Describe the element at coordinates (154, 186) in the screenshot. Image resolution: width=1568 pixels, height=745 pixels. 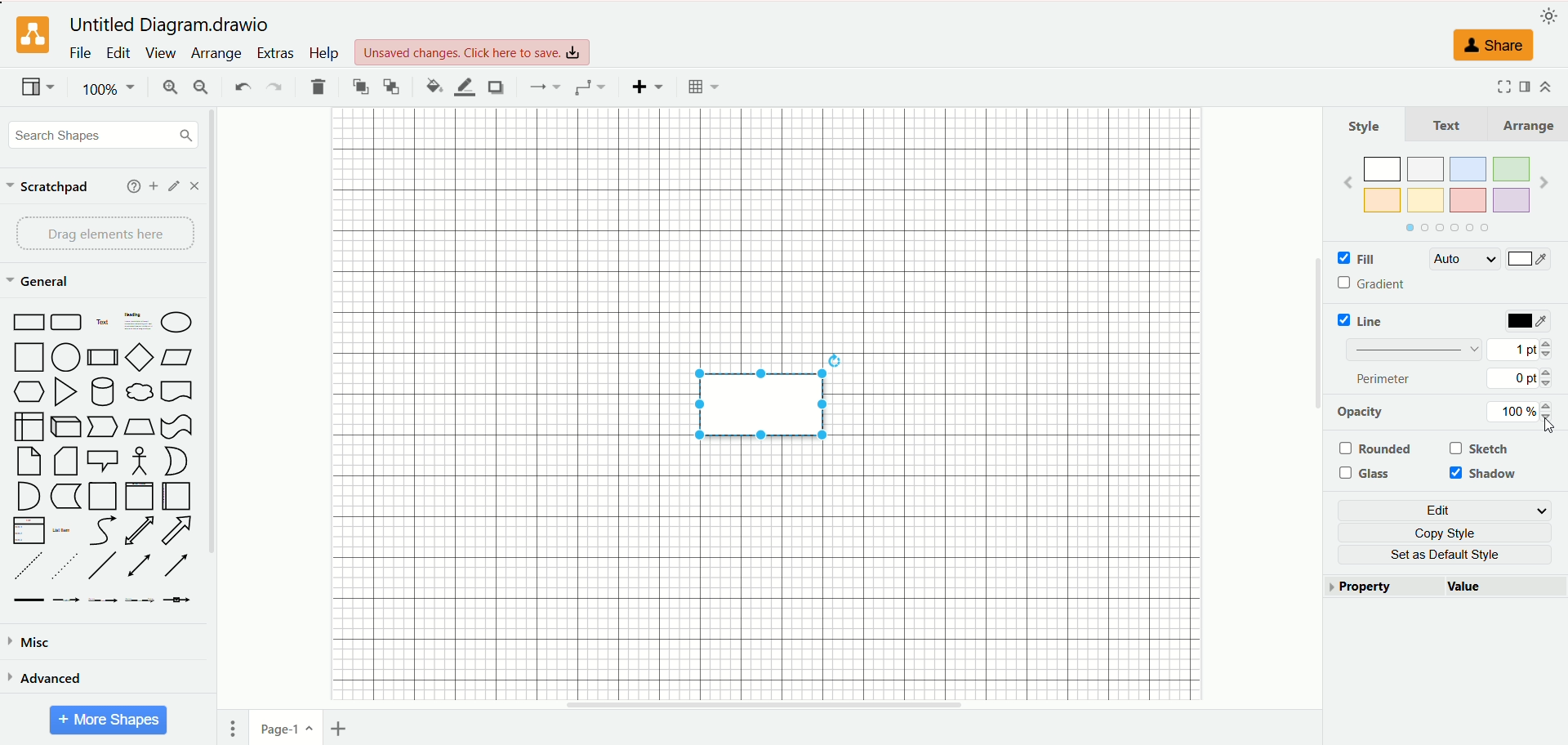
I see `add` at that location.